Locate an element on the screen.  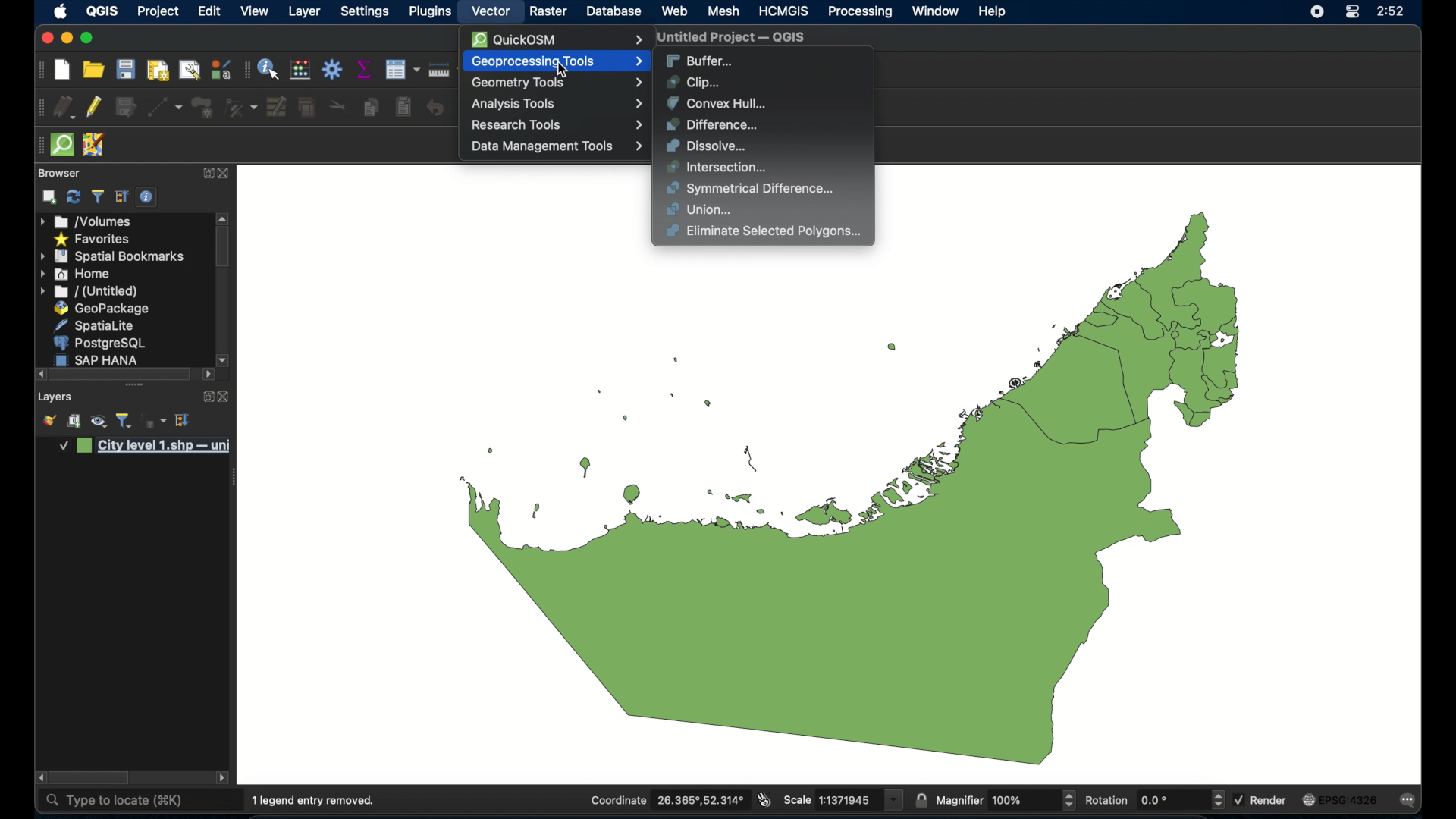
untitled folder is located at coordinates (91, 292).